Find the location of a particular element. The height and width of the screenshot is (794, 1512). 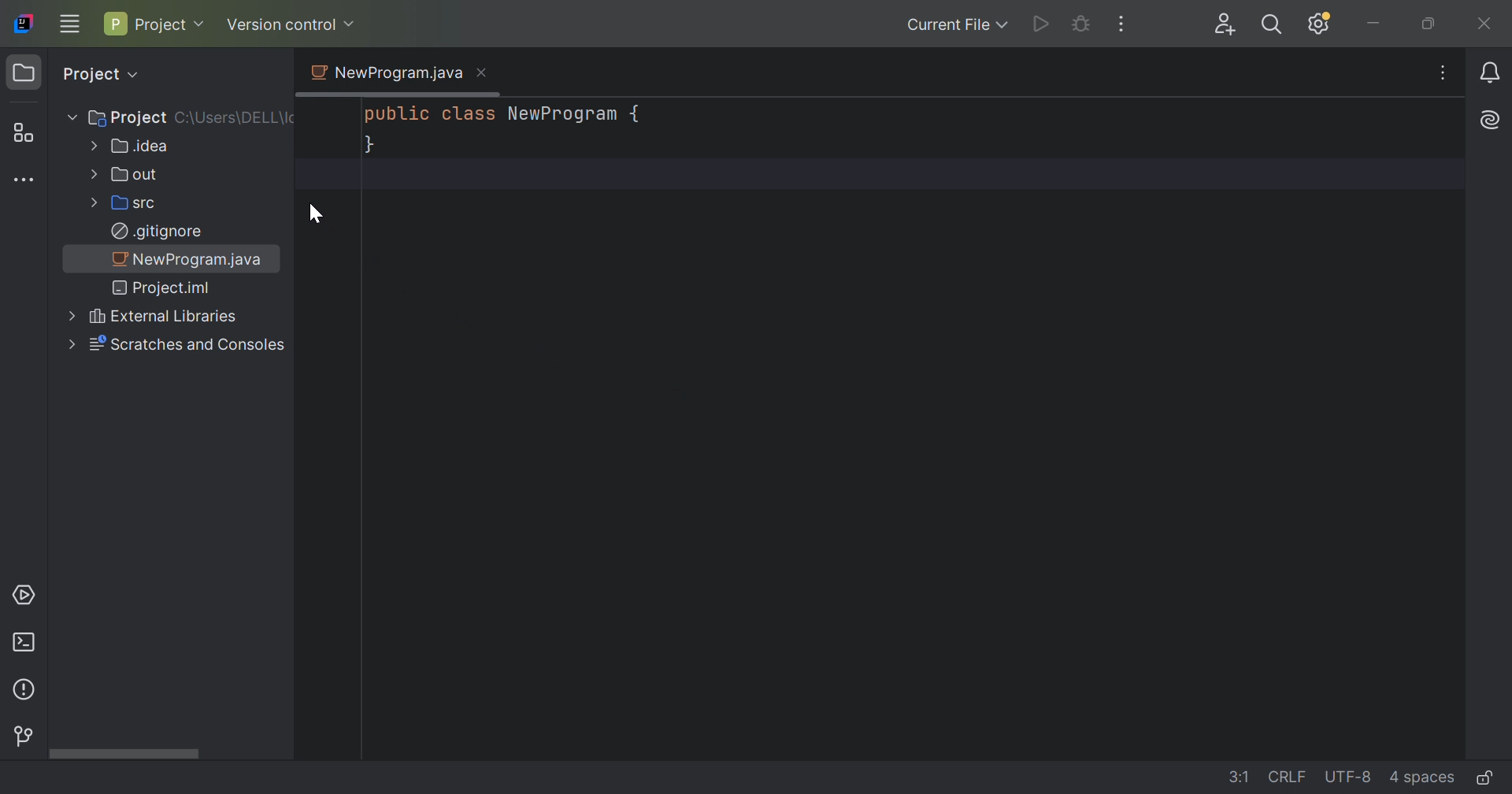

More actions is located at coordinates (1123, 25).